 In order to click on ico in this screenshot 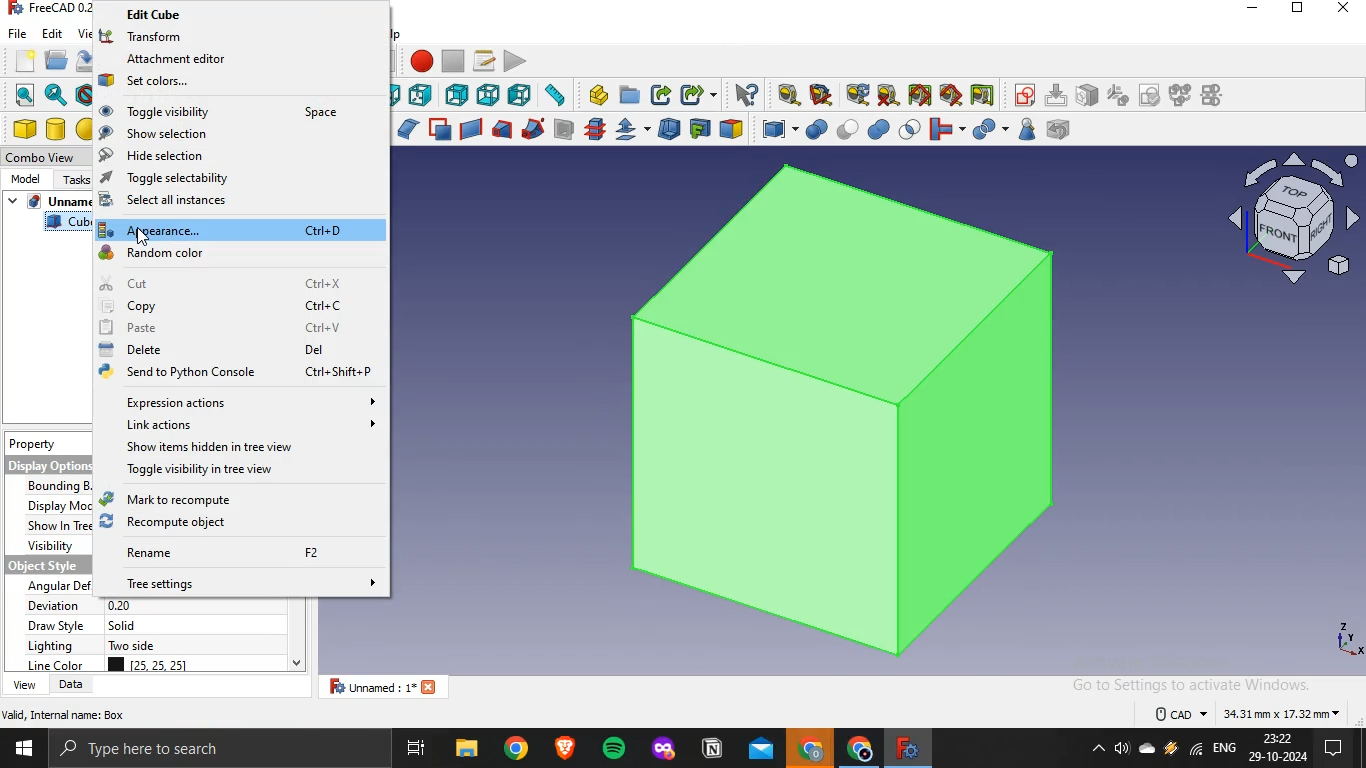, I will do `click(1298, 215)`.